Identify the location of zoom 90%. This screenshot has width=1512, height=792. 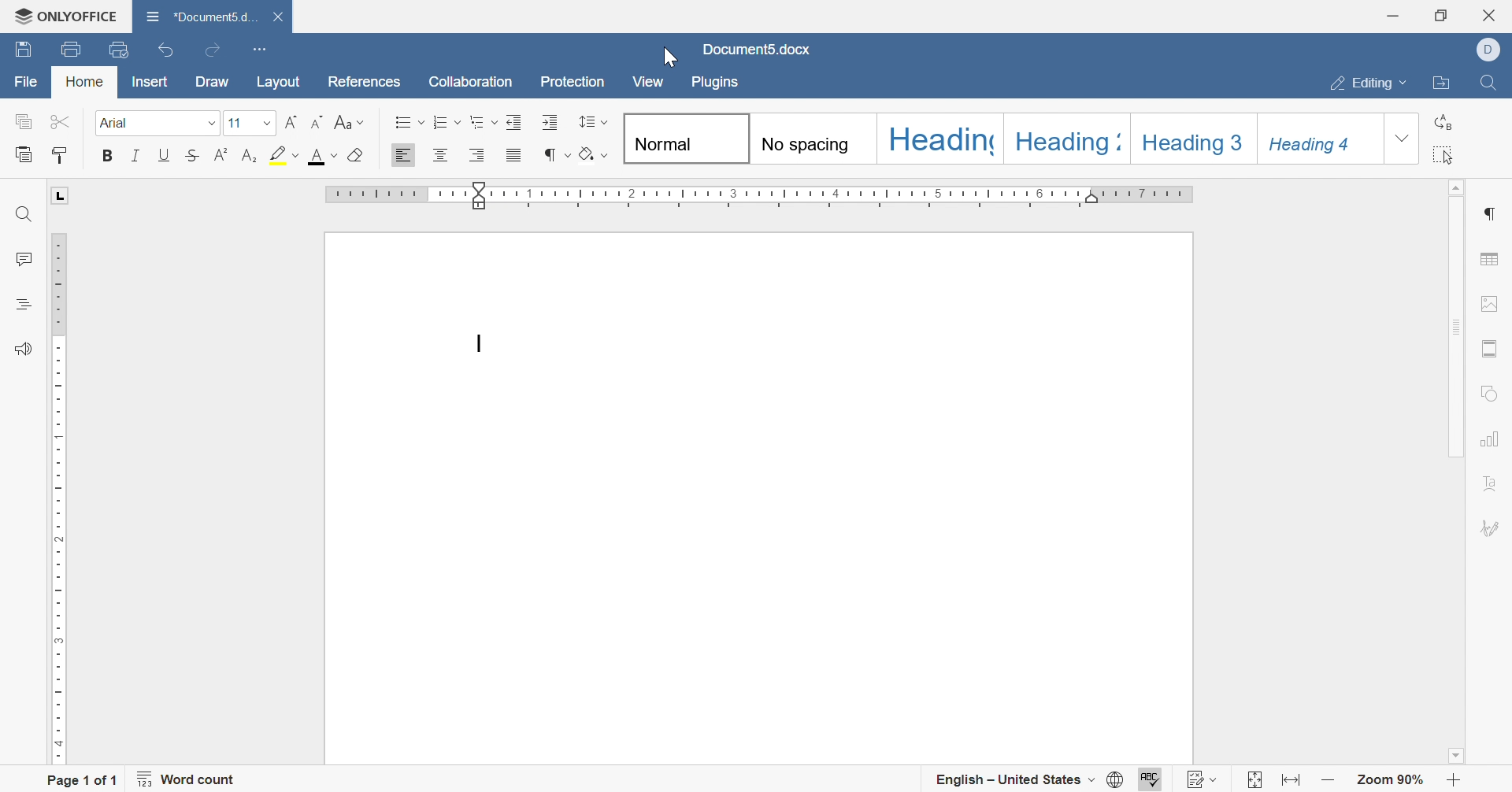
(1392, 781).